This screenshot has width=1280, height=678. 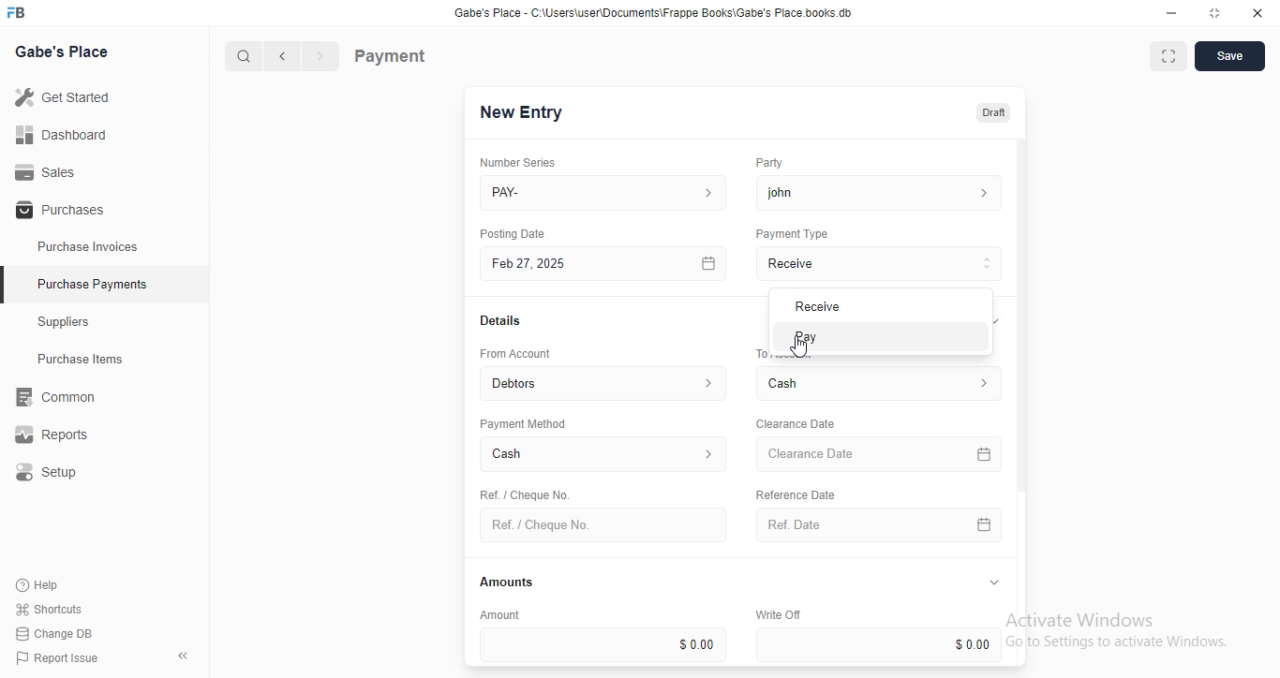 What do you see at coordinates (882, 383) in the screenshot?
I see `To Account` at bounding box center [882, 383].